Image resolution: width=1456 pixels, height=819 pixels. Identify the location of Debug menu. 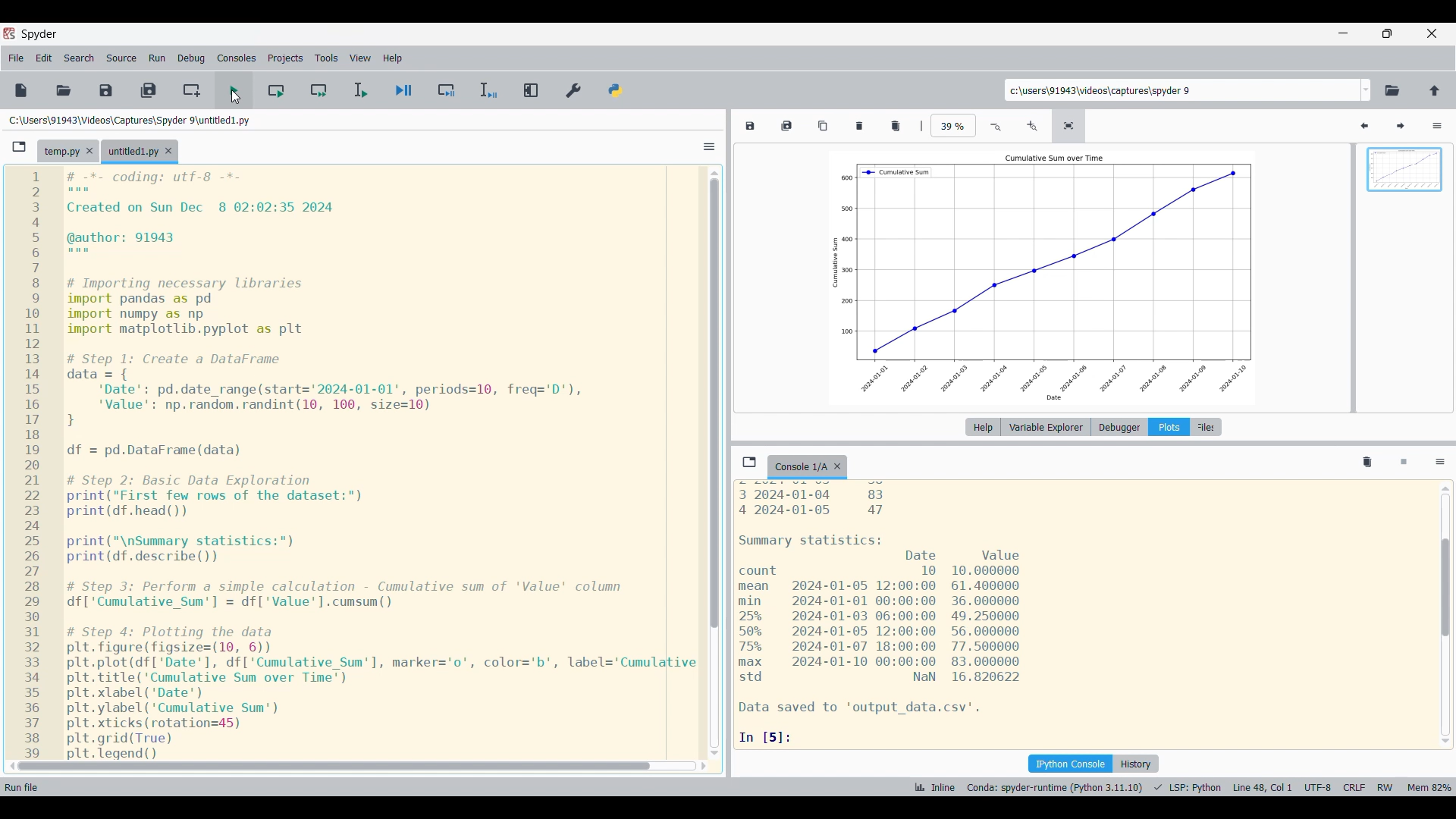
(192, 58).